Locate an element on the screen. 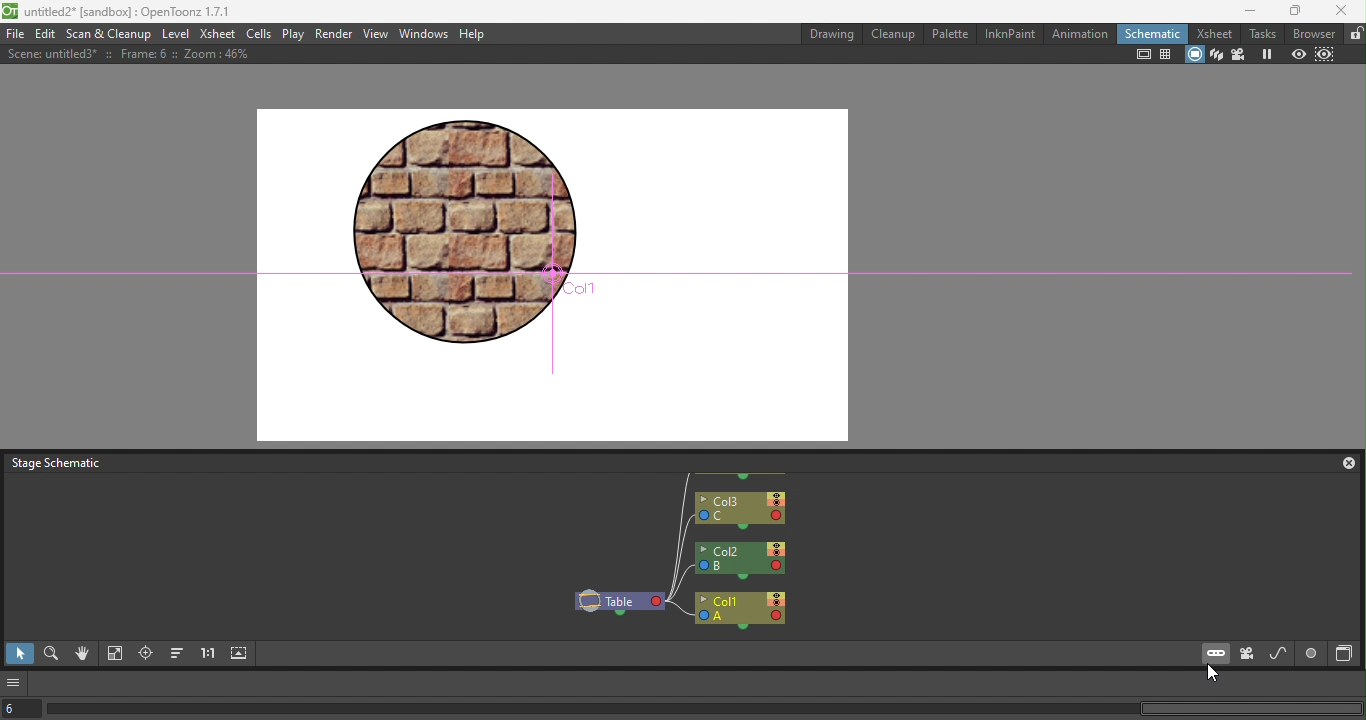 This screenshot has height=720, width=1366. File is located at coordinates (15, 35).